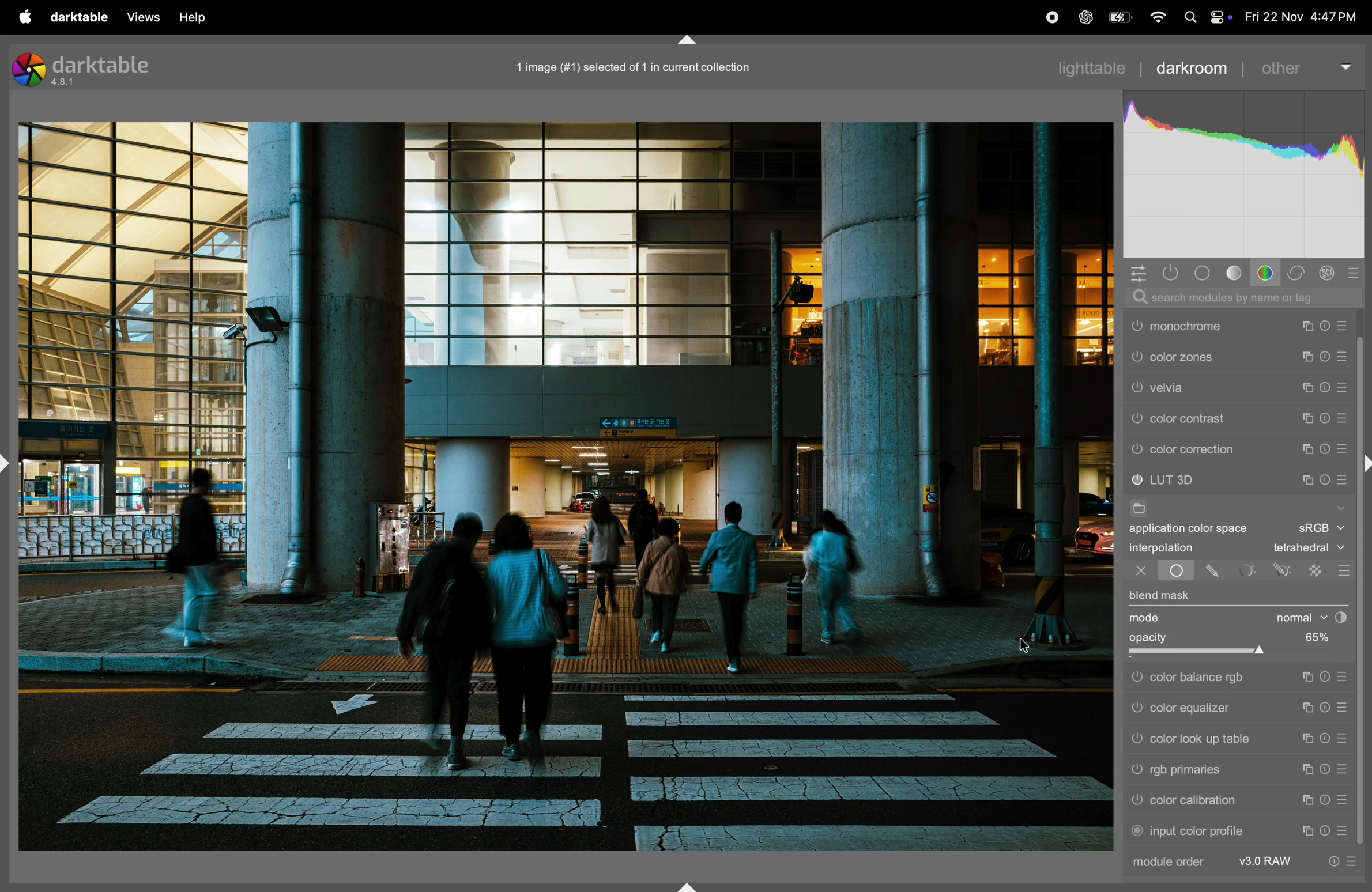  I want to click on scroll bar, so click(1363, 664).